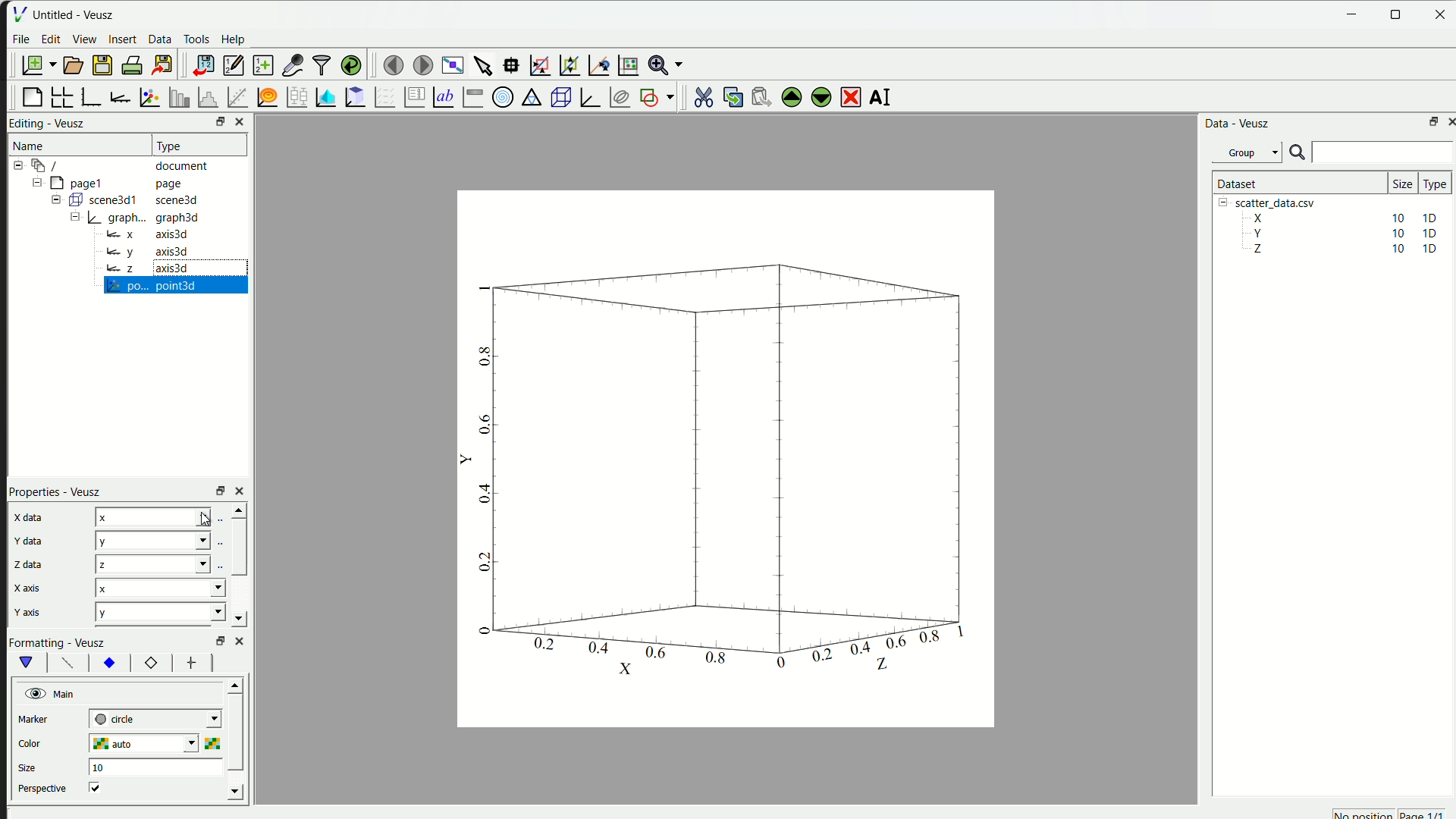 Image resolution: width=1456 pixels, height=819 pixels. Describe the element at coordinates (83, 38) in the screenshot. I see `View` at that location.